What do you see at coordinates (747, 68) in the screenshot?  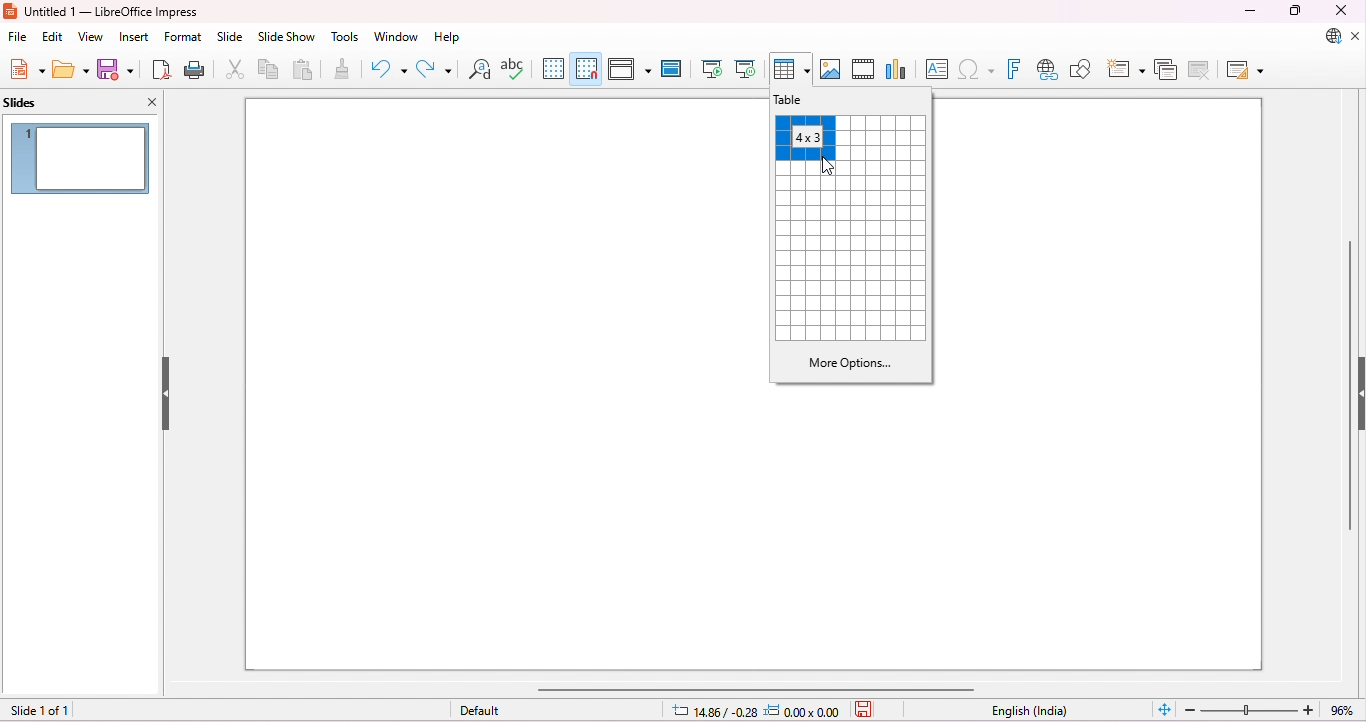 I see `start from current` at bounding box center [747, 68].